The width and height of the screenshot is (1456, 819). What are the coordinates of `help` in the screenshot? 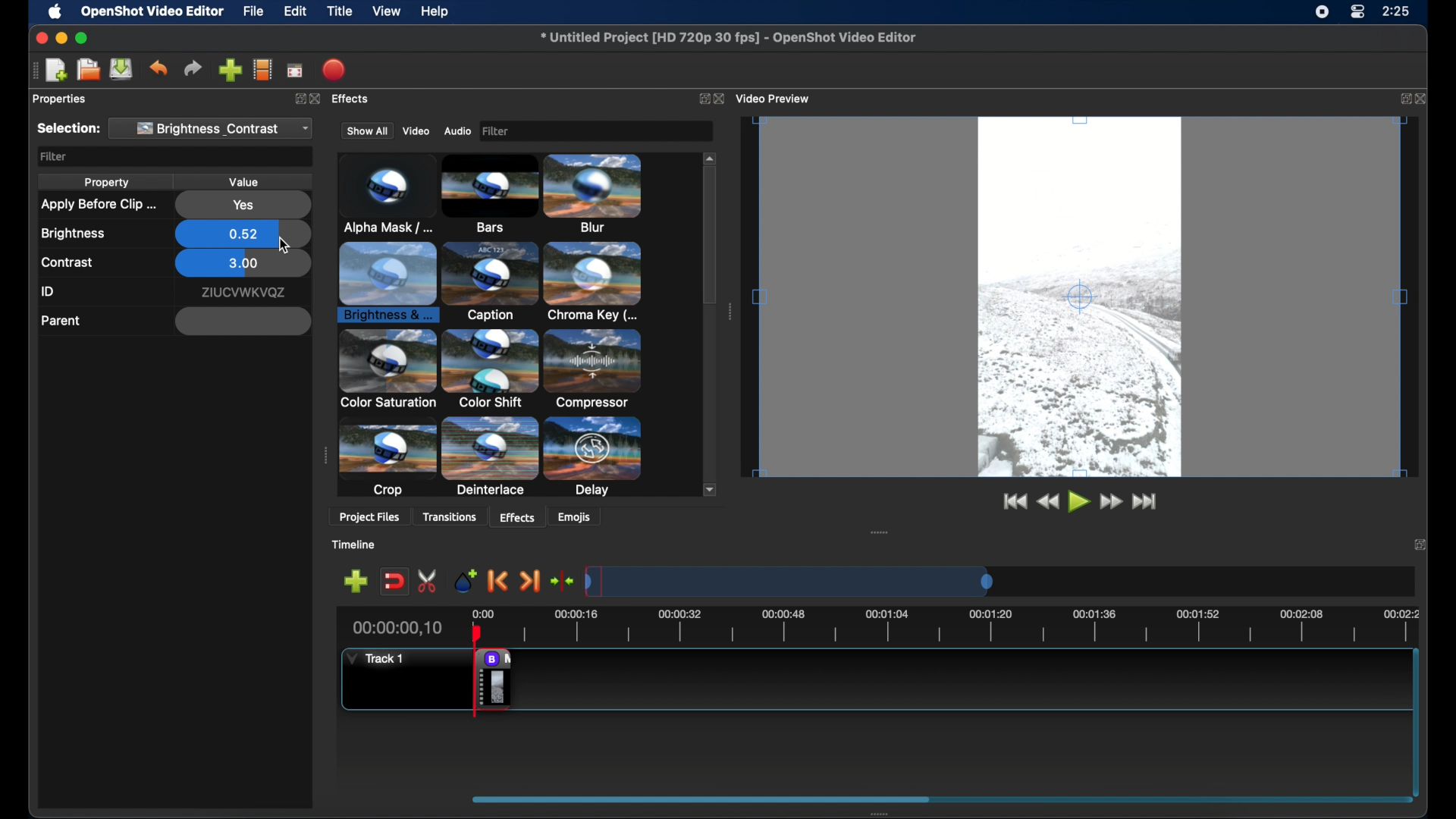 It's located at (437, 11).